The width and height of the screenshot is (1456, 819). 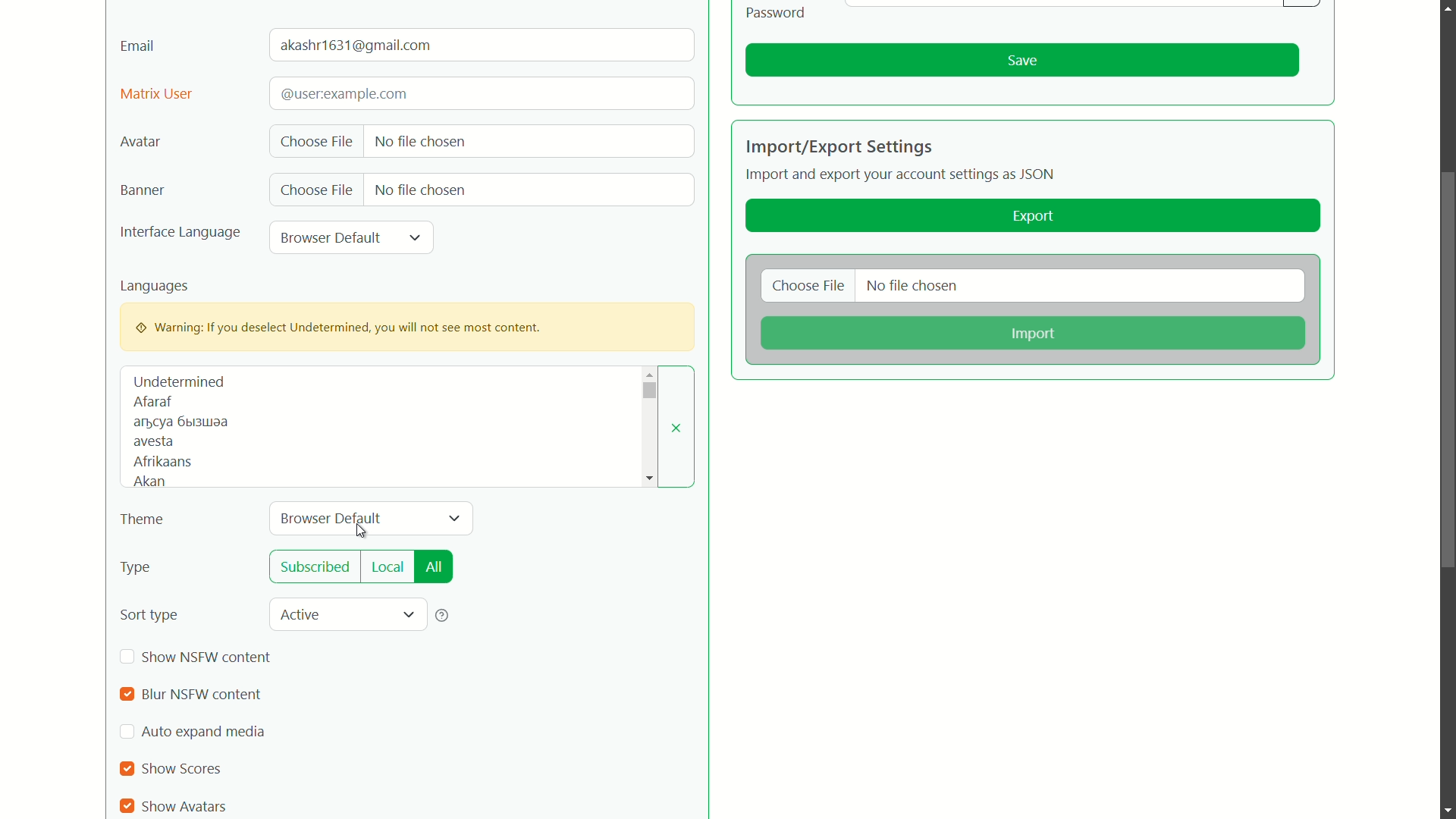 I want to click on blur nsfw content, so click(x=199, y=695).